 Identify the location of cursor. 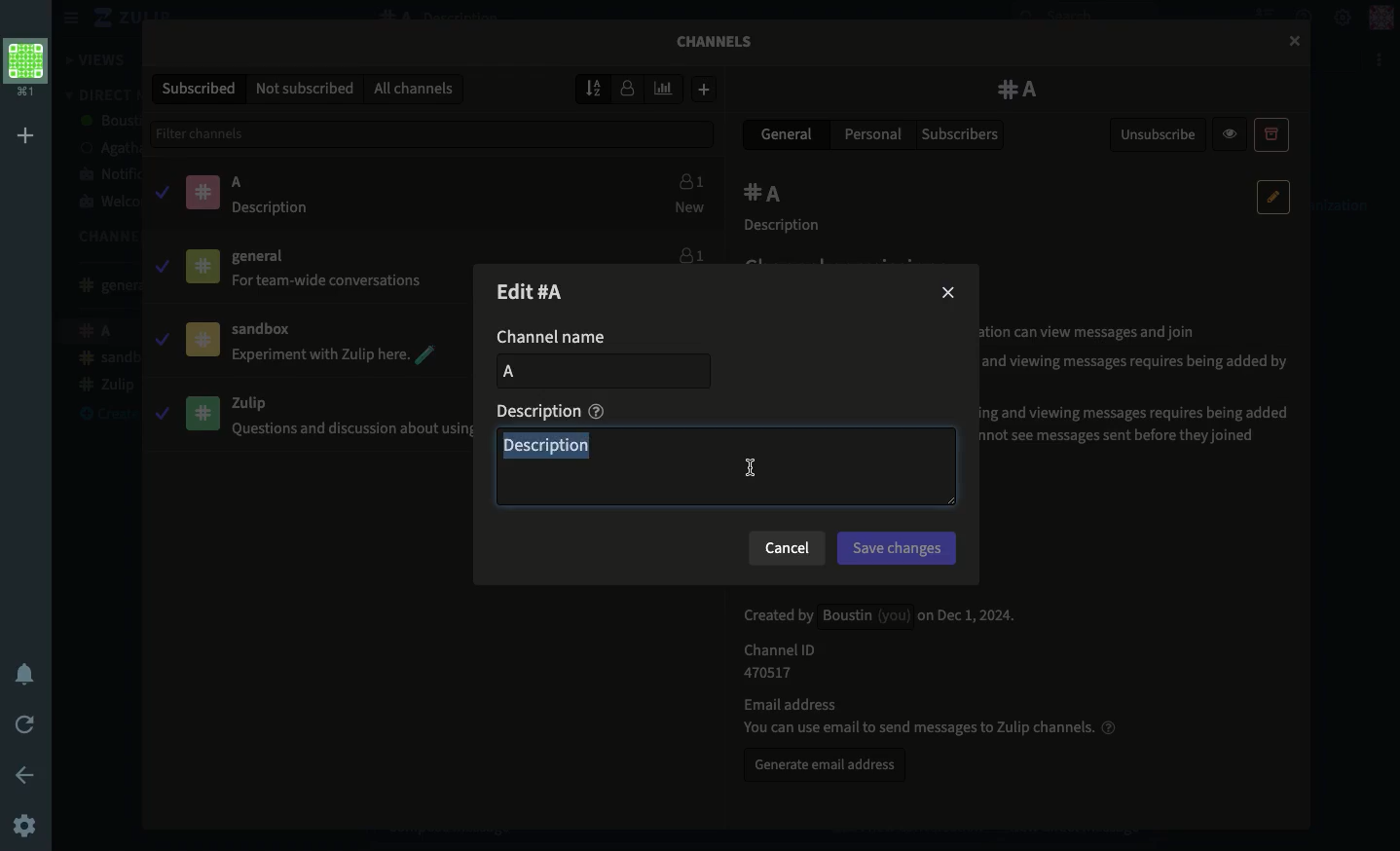
(1294, 41).